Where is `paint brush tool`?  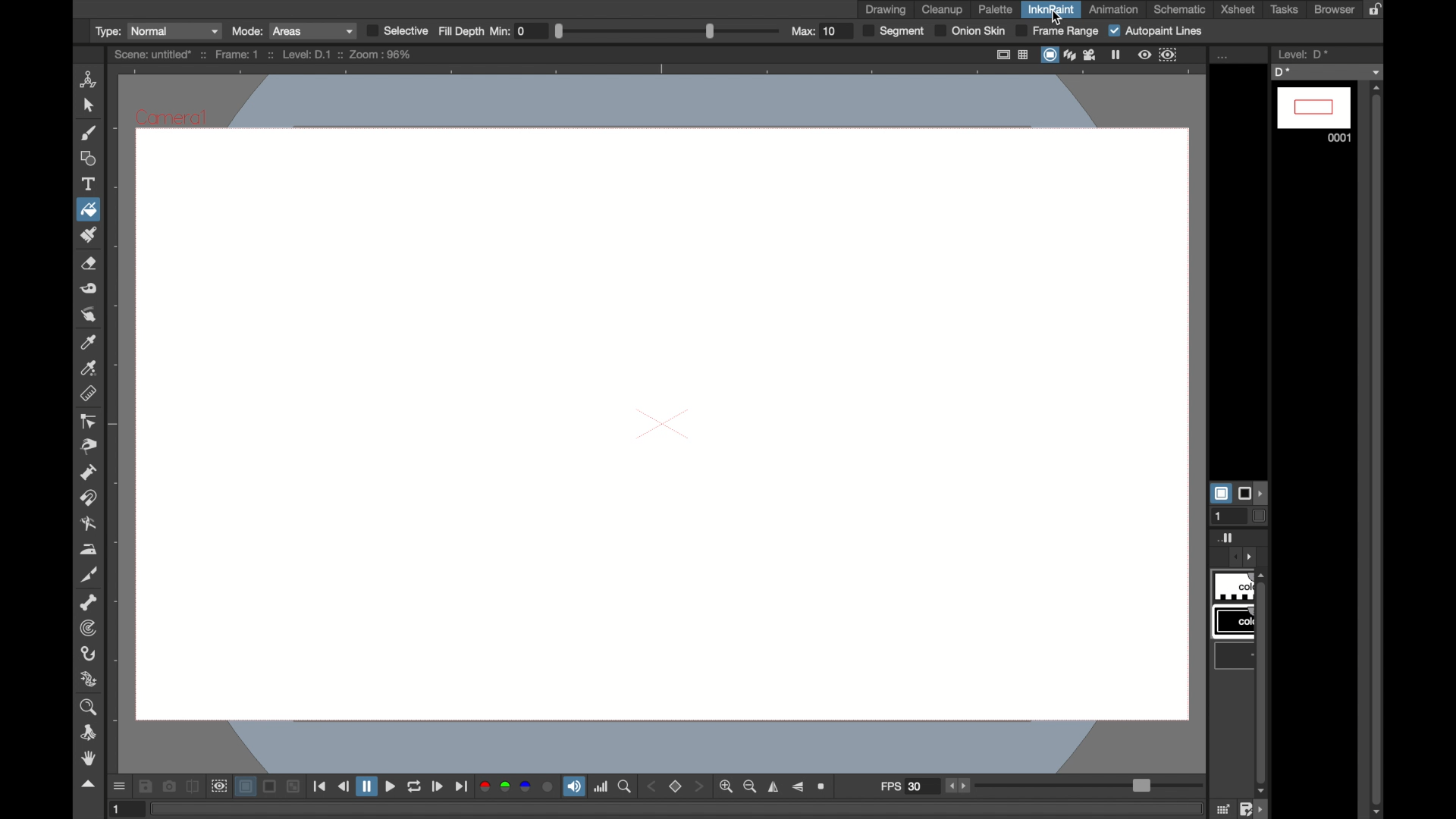 paint brush tool is located at coordinates (90, 235).